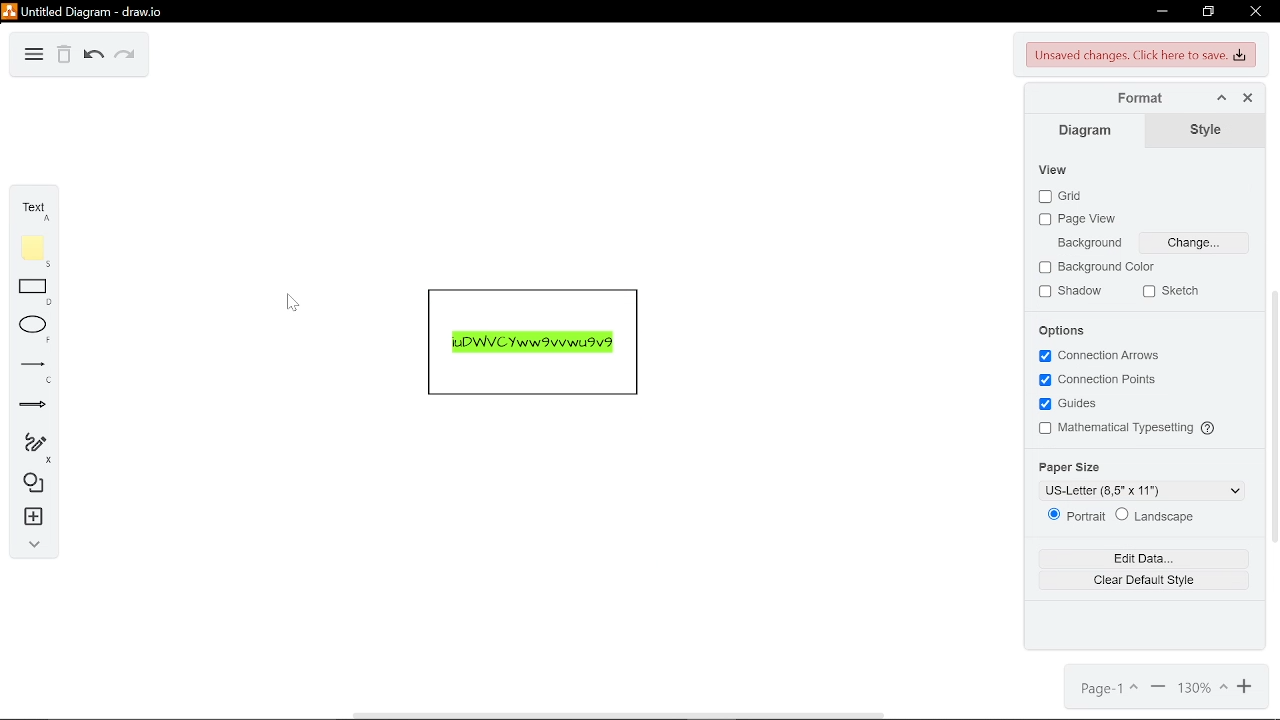  What do you see at coordinates (29, 548) in the screenshot?
I see `collapse` at bounding box center [29, 548].